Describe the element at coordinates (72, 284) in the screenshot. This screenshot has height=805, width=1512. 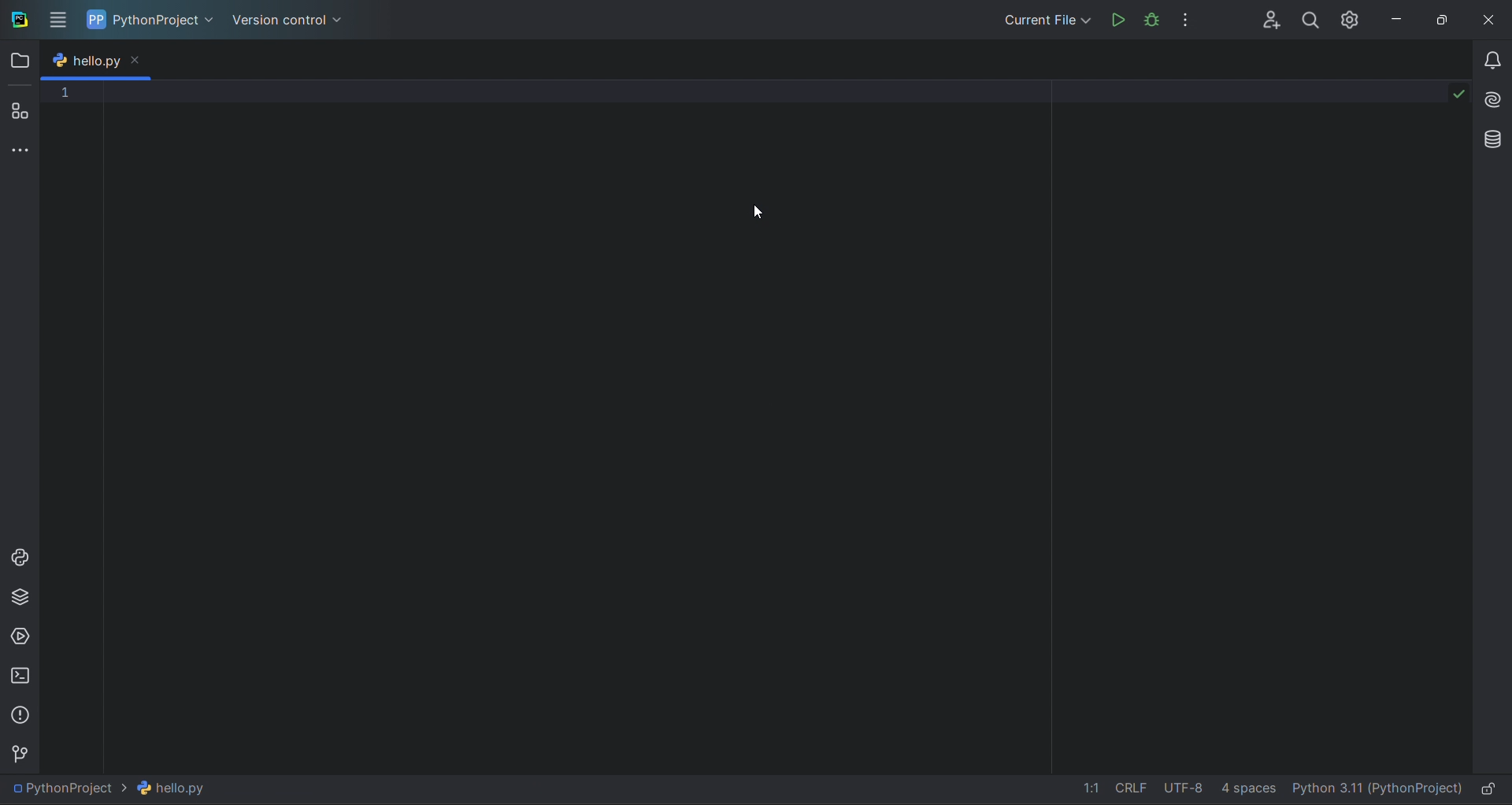
I see `line numer` at that location.